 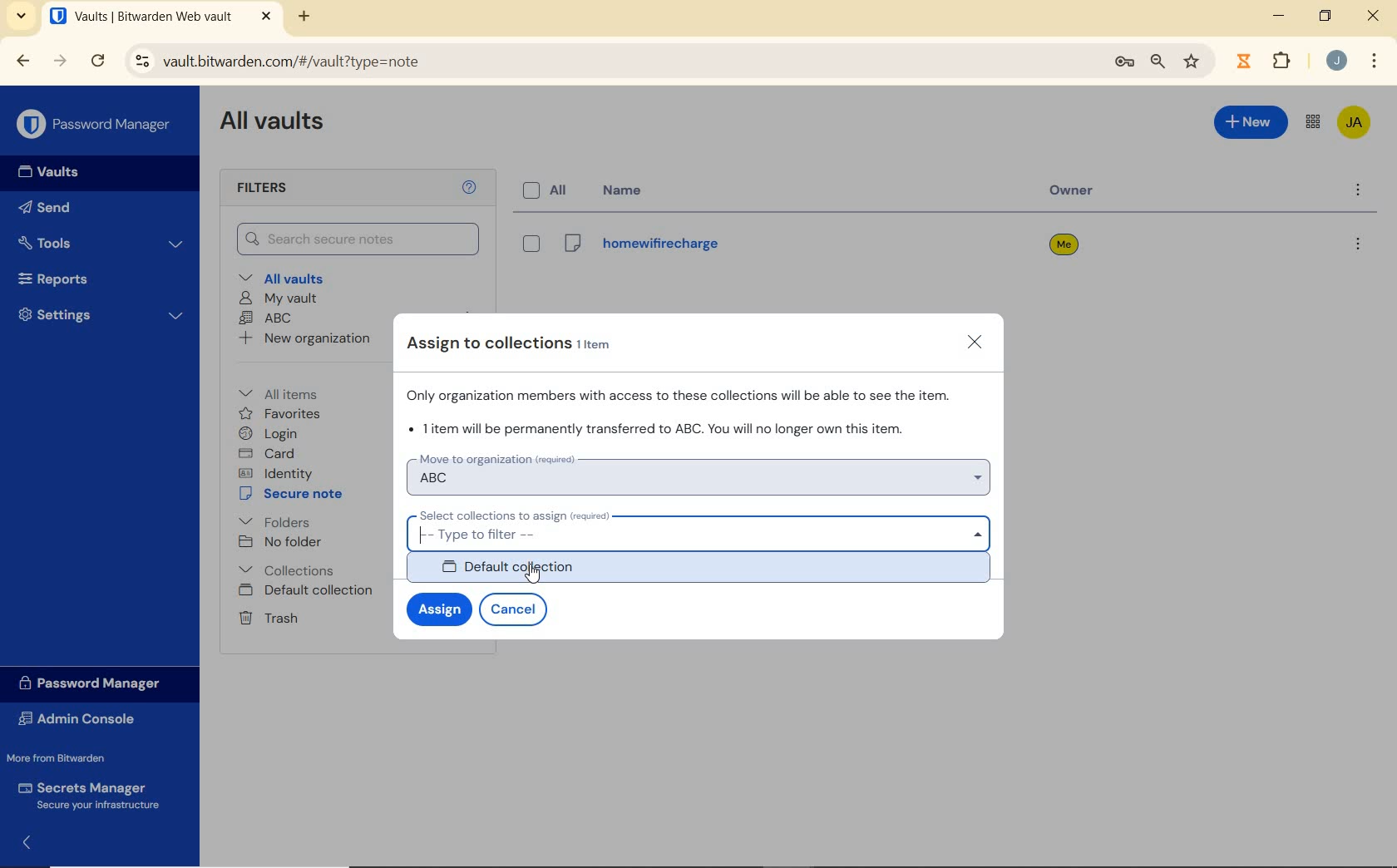 I want to click on assign, so click(x=437, y=609).